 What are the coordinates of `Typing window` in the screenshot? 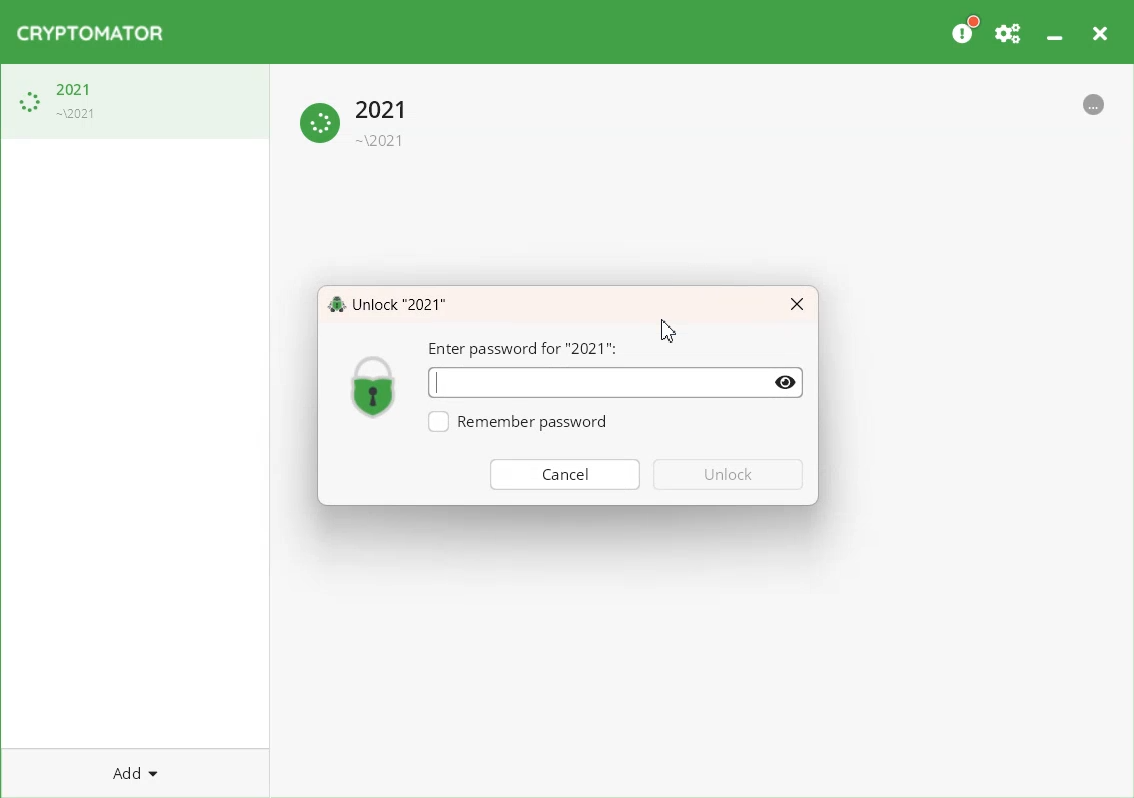 It's located at (593, 382).